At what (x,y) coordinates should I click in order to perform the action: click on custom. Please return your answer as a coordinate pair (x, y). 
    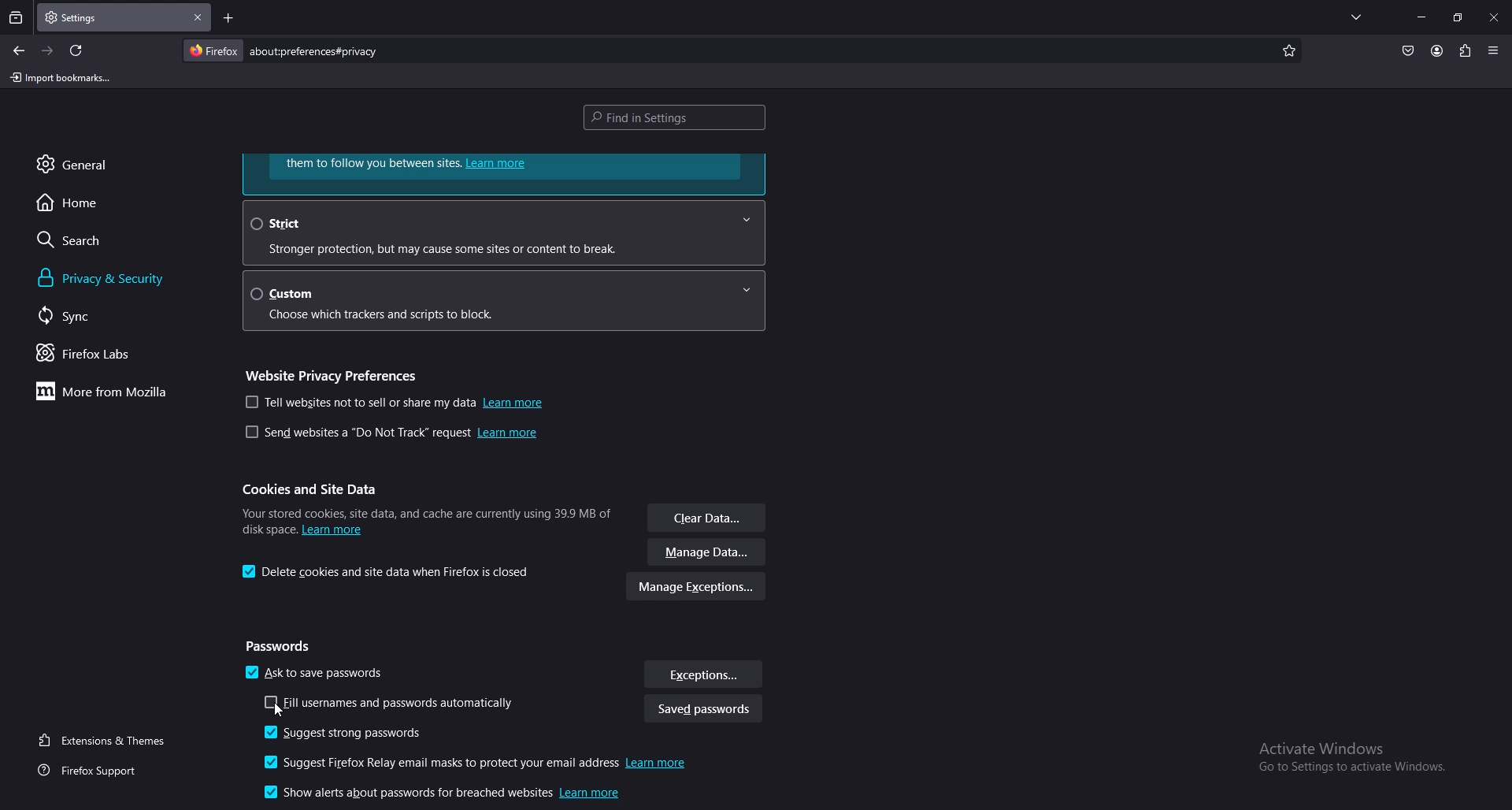
    Looking at the image, I should click on (506, 302).